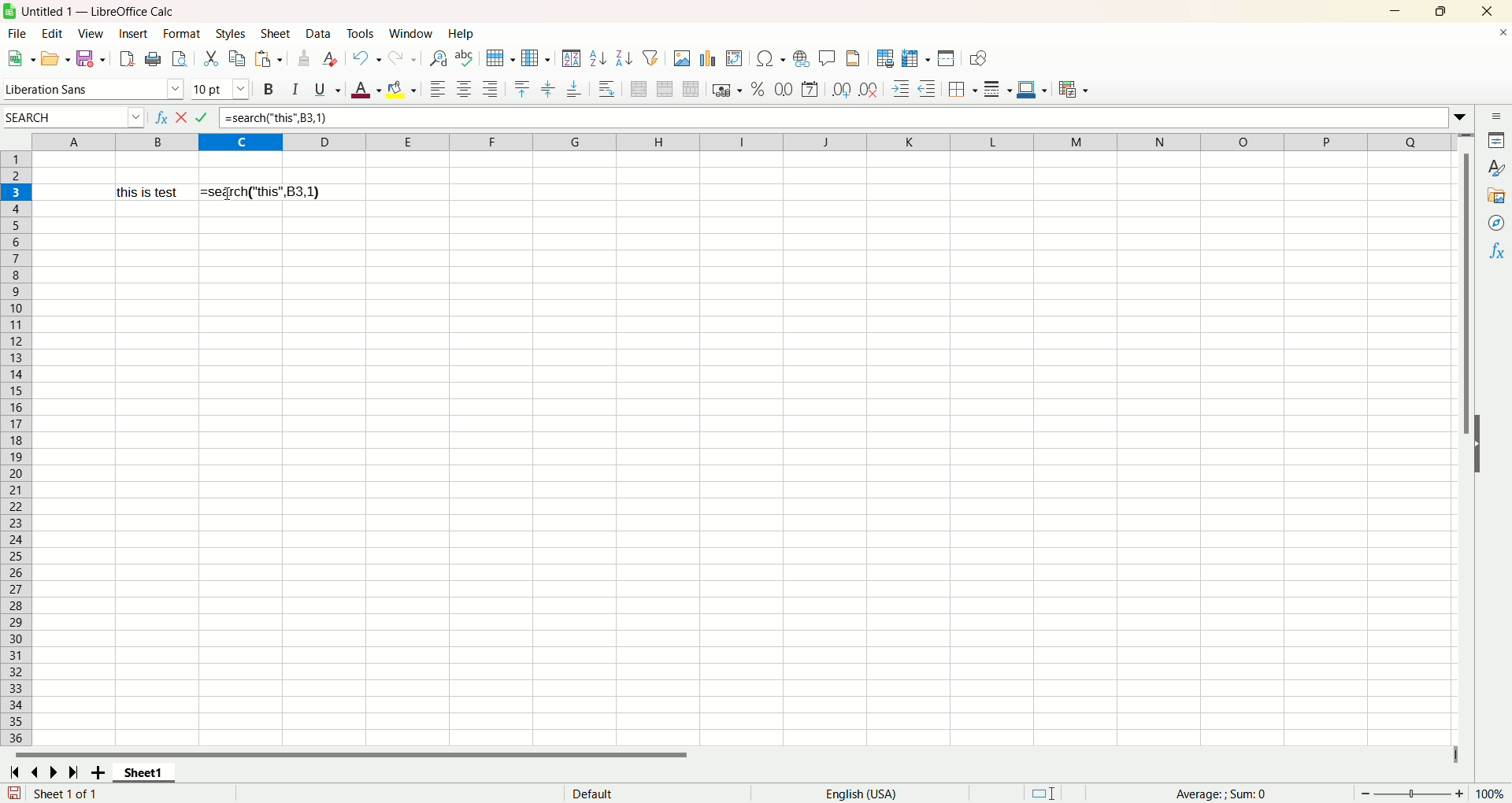 The width and height of the screenshot is (1512, 803). What do you see at coordinates (811, 90) in the screenshot?
I see `format as date` at bounding box center [811, 90].